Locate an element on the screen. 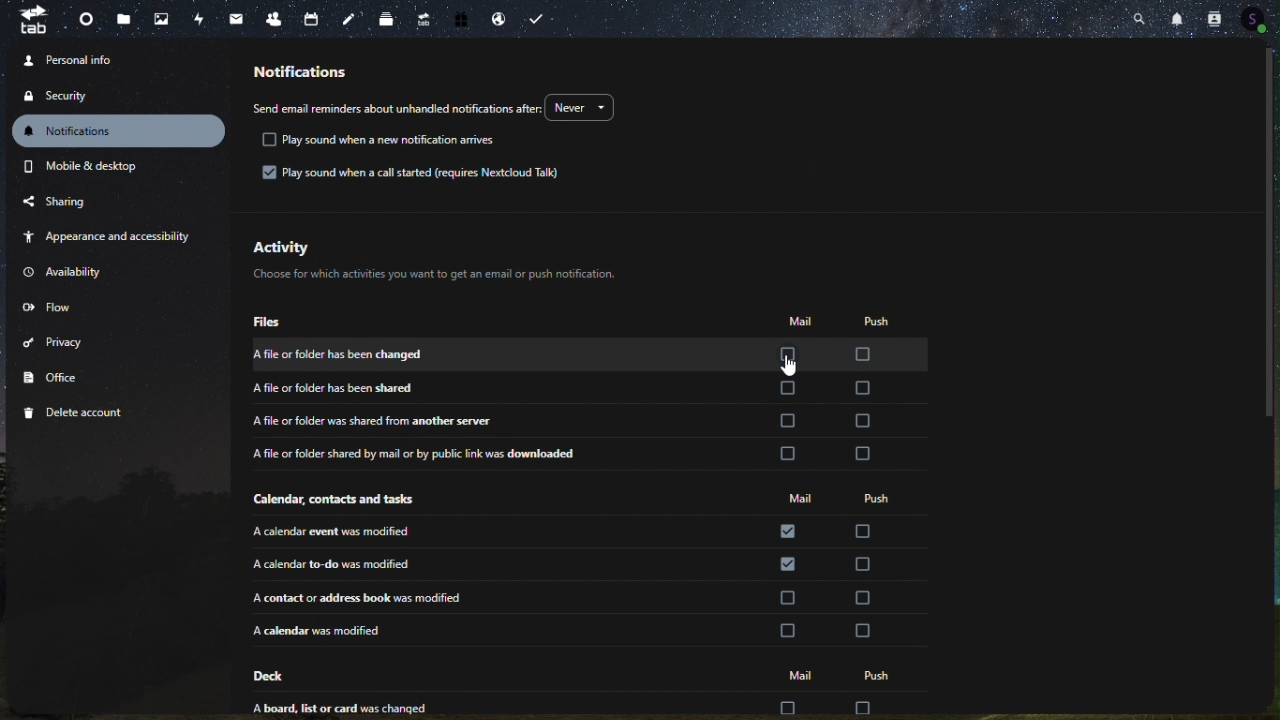  mobile and desktop is located at coordinates (84, 165).